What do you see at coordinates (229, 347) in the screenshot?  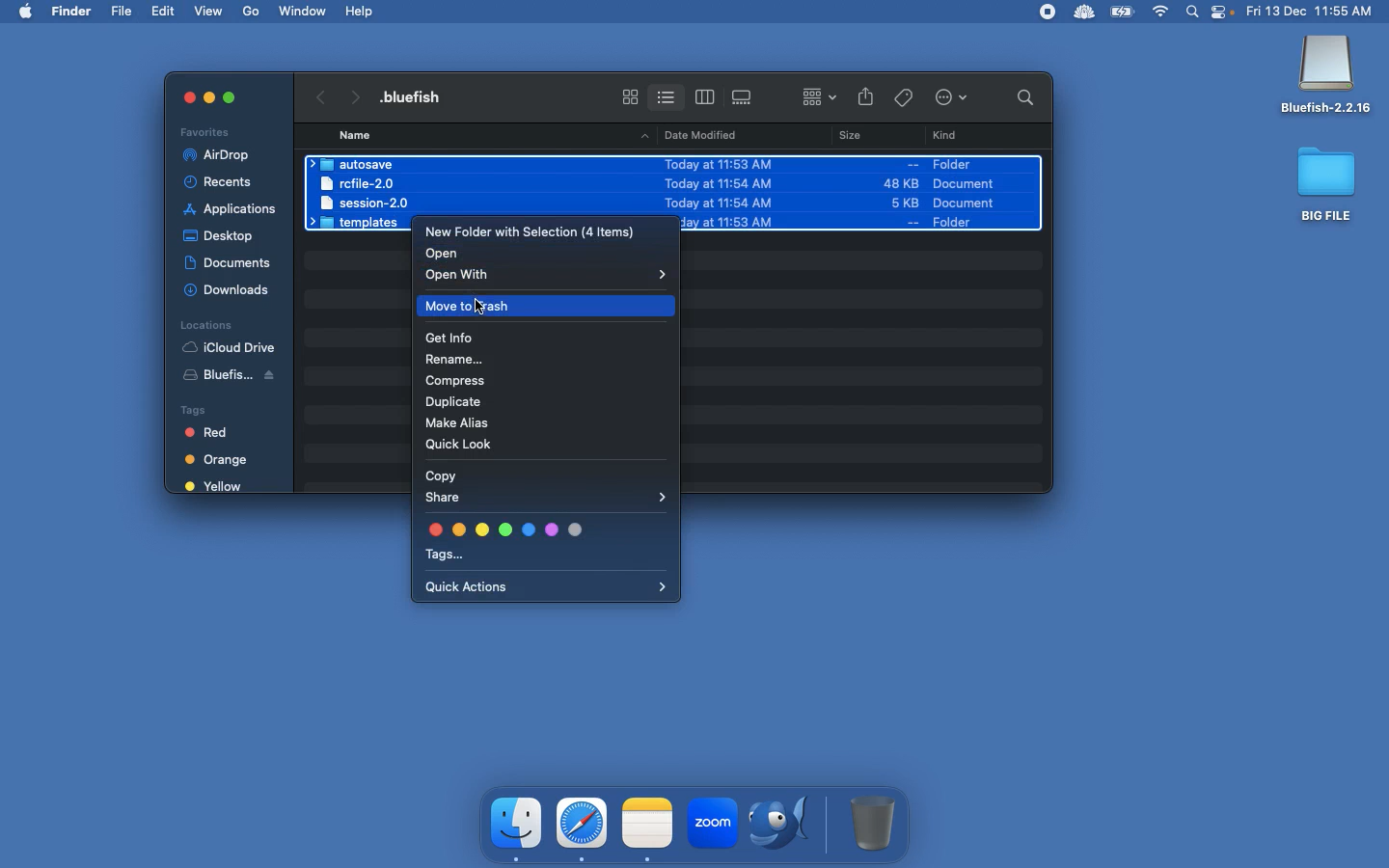 I see `iCloud Drive` at bounding box center [229, 347].